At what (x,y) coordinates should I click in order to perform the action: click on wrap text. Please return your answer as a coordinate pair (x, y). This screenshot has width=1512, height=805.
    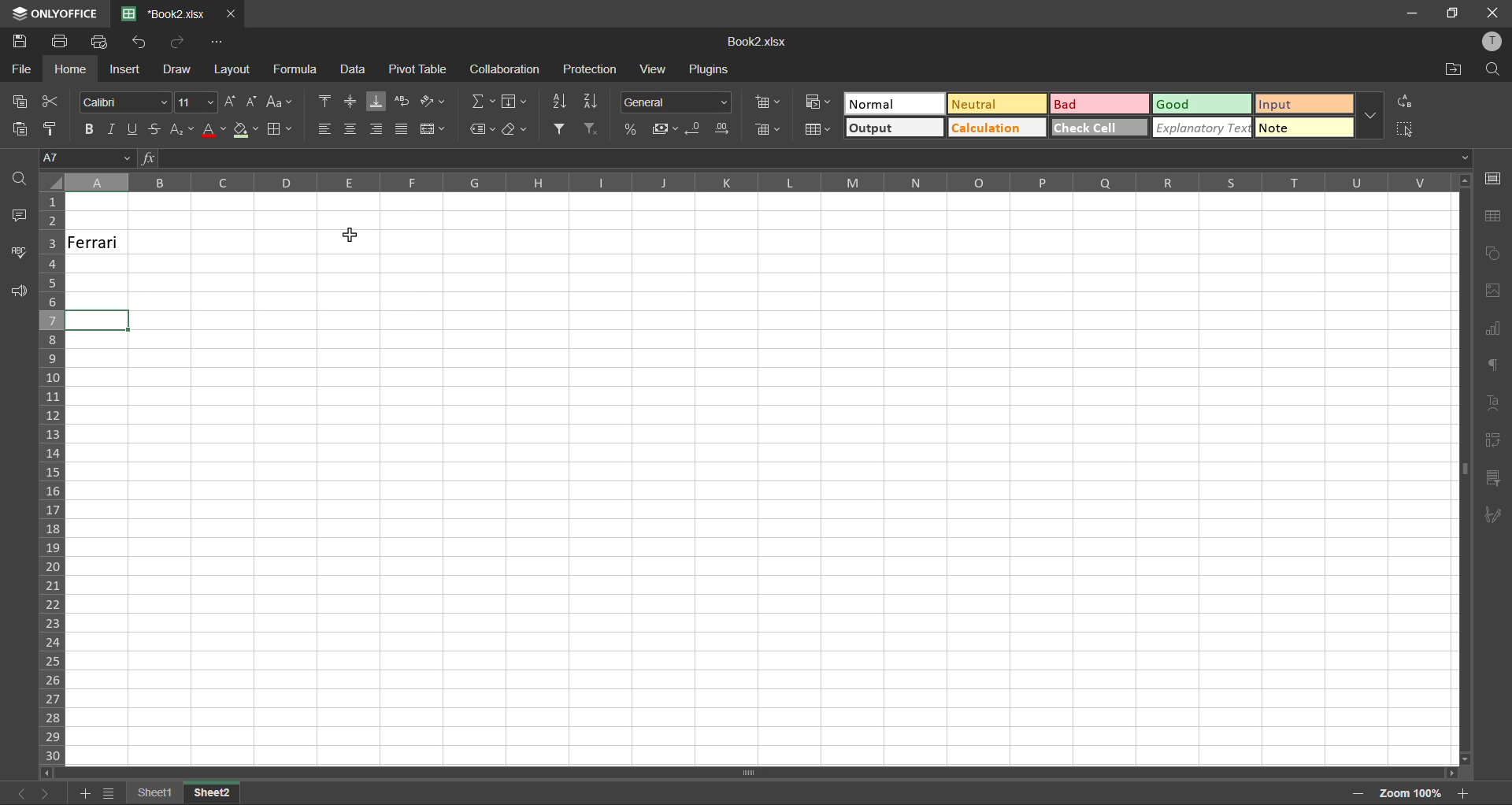
    Looking at the image, I should click on (403, 102).